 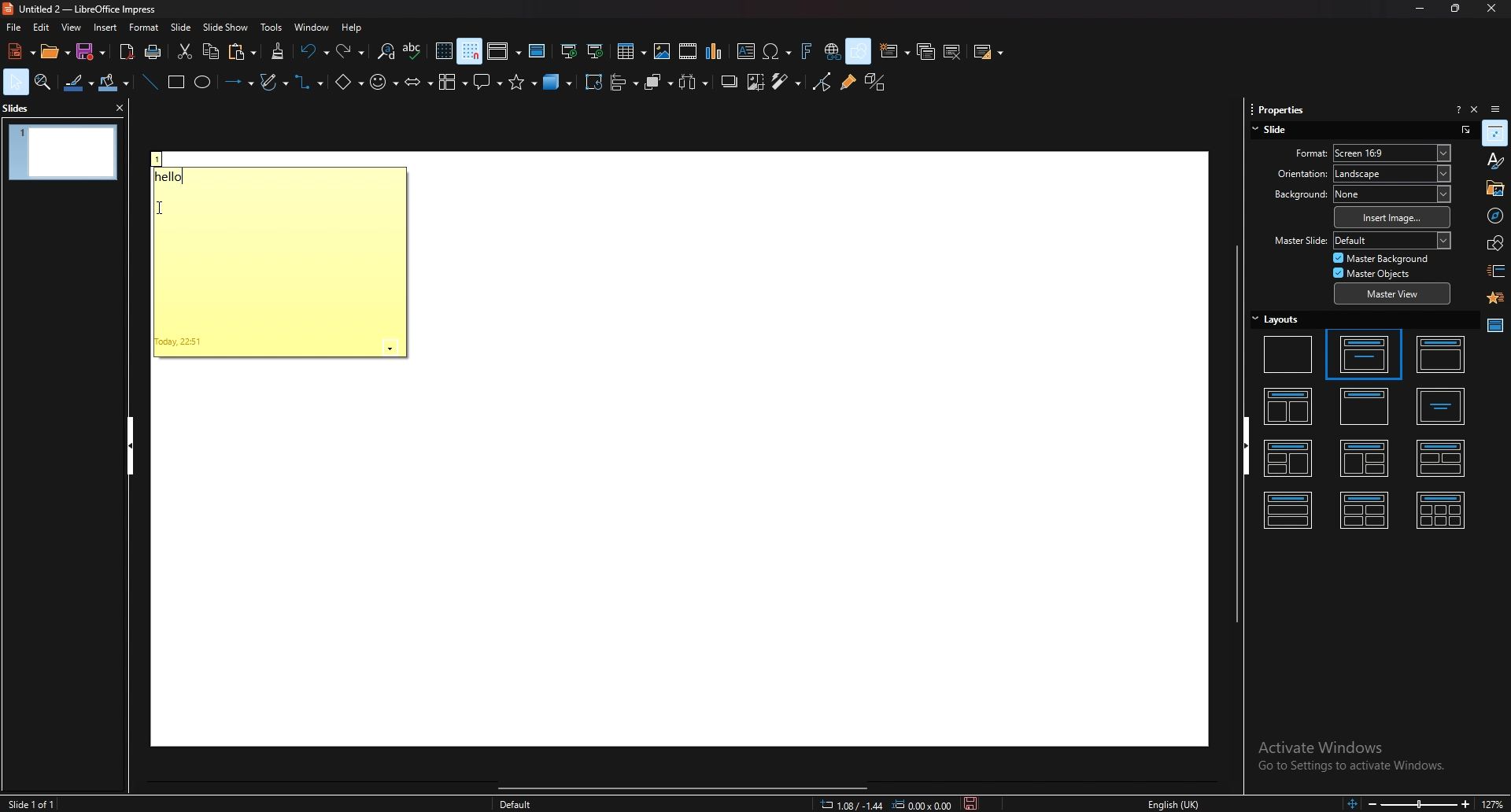 I want to click on insert, so click(x=107, y=28).